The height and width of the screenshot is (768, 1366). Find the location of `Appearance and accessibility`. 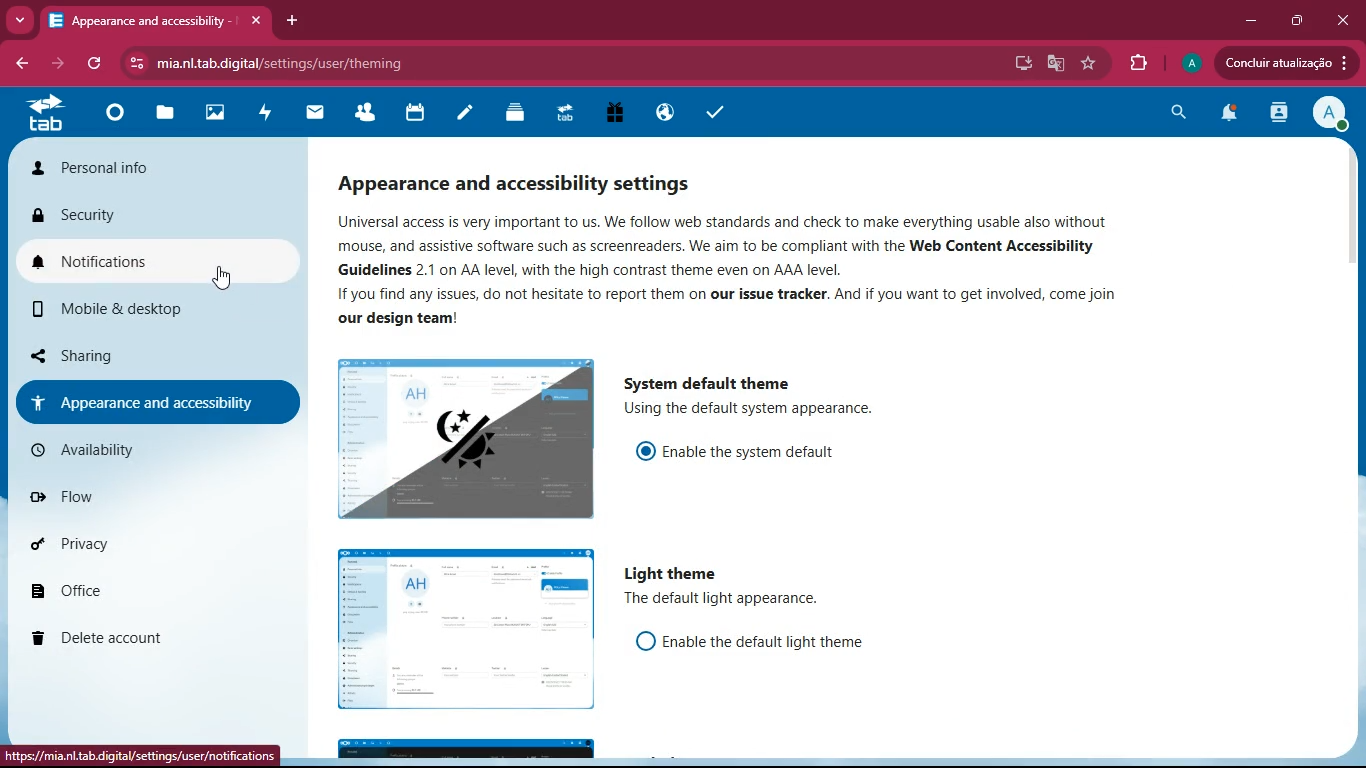

Appearance and accessibility is located at coordinates (156, 19).